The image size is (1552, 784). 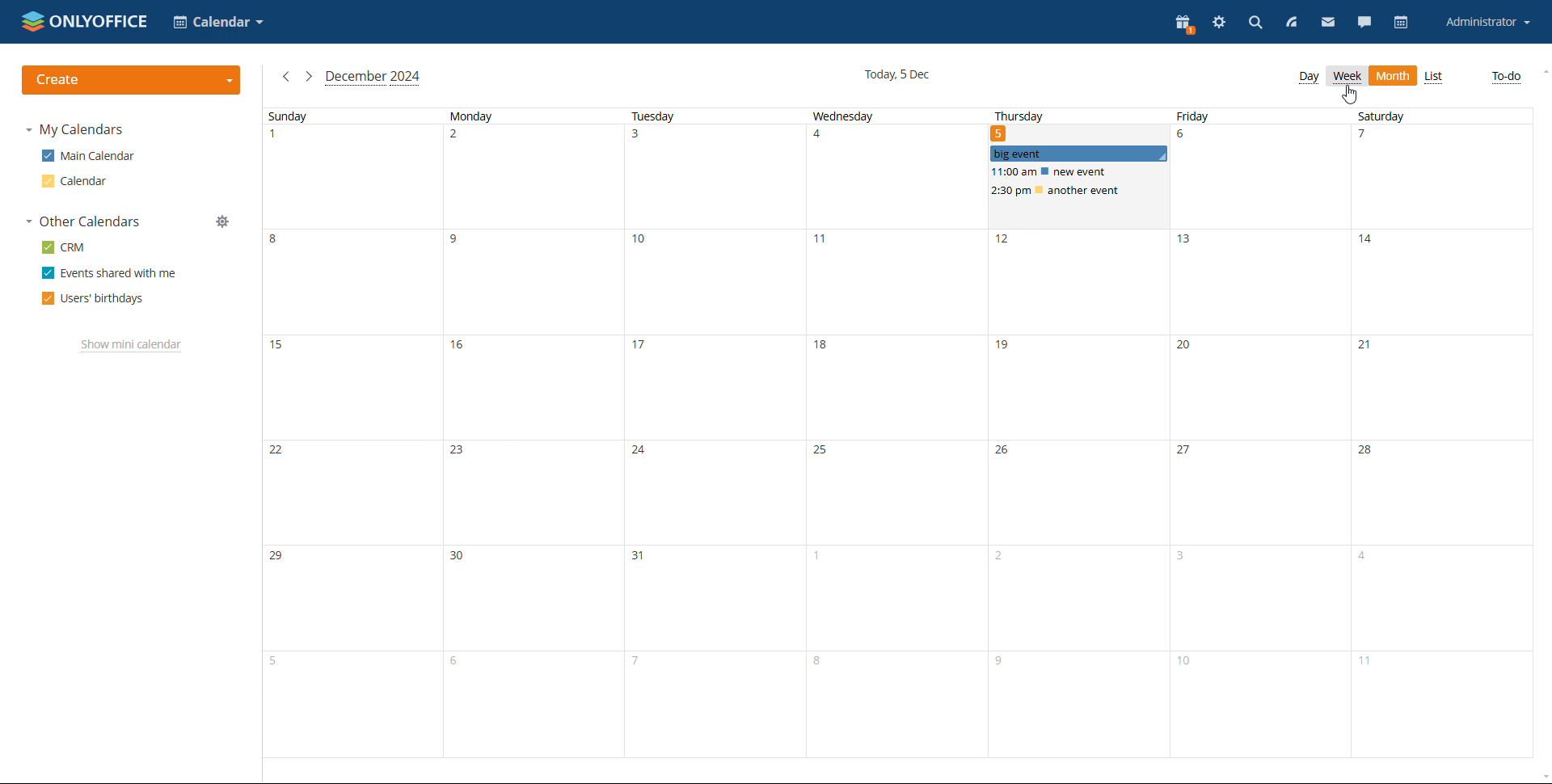 I want to click on crm, so click(x=64, y=247).